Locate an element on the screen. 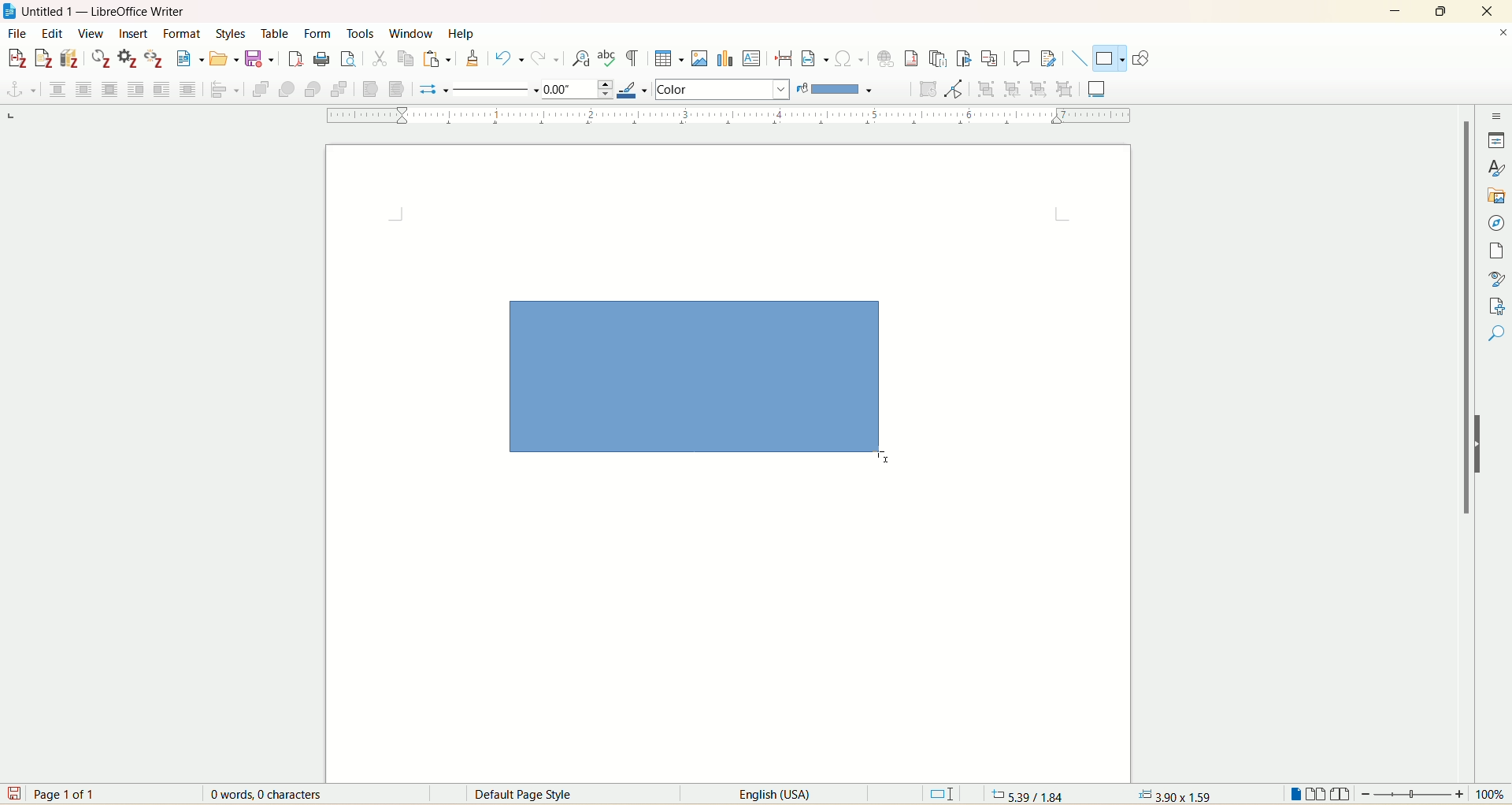 This screenshot has height=805, width=1512. accessibility check is located at coordinates (1497, 333).